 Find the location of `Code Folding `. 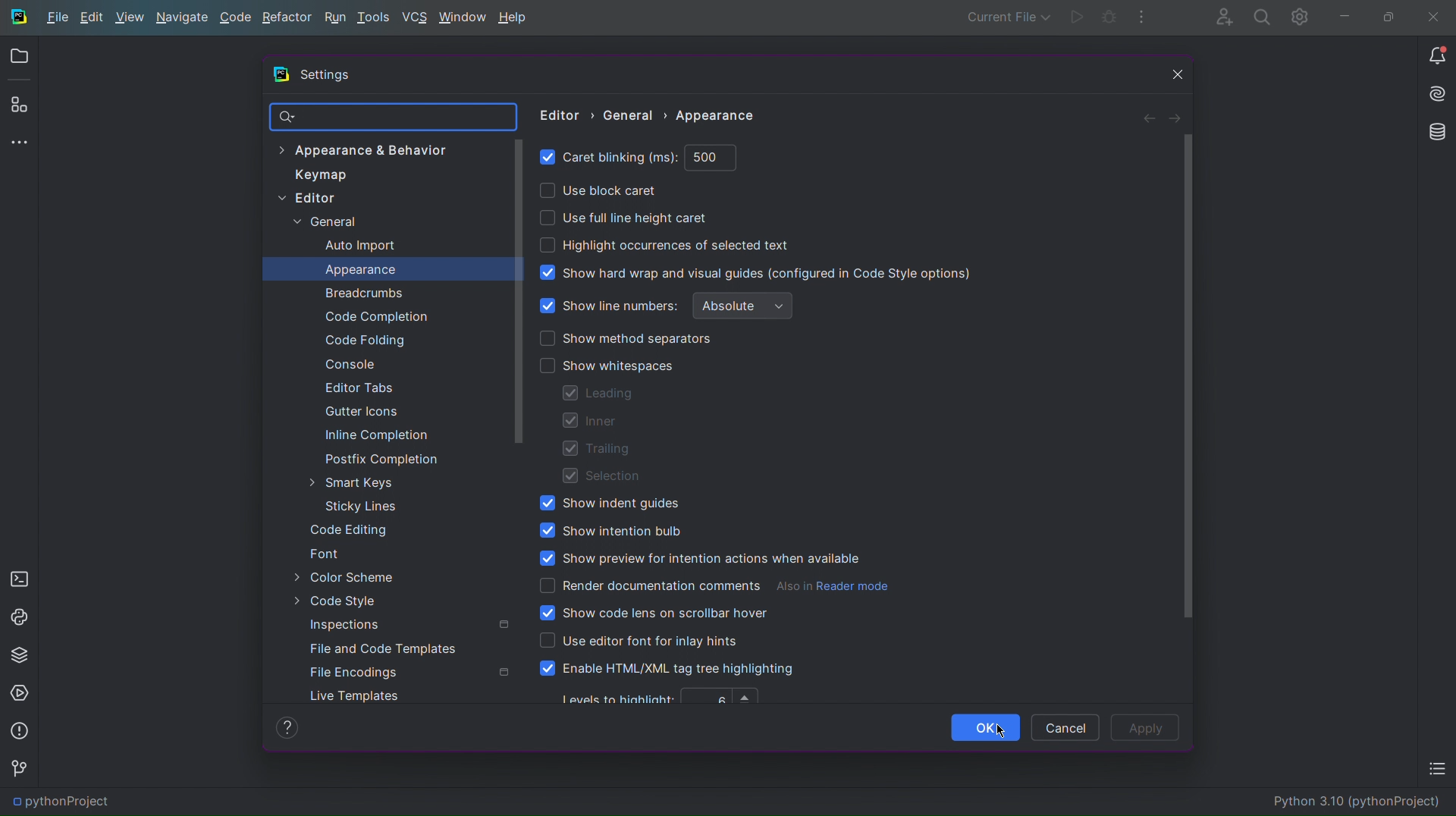

Code Folding  is located at coordinates (361, 341).